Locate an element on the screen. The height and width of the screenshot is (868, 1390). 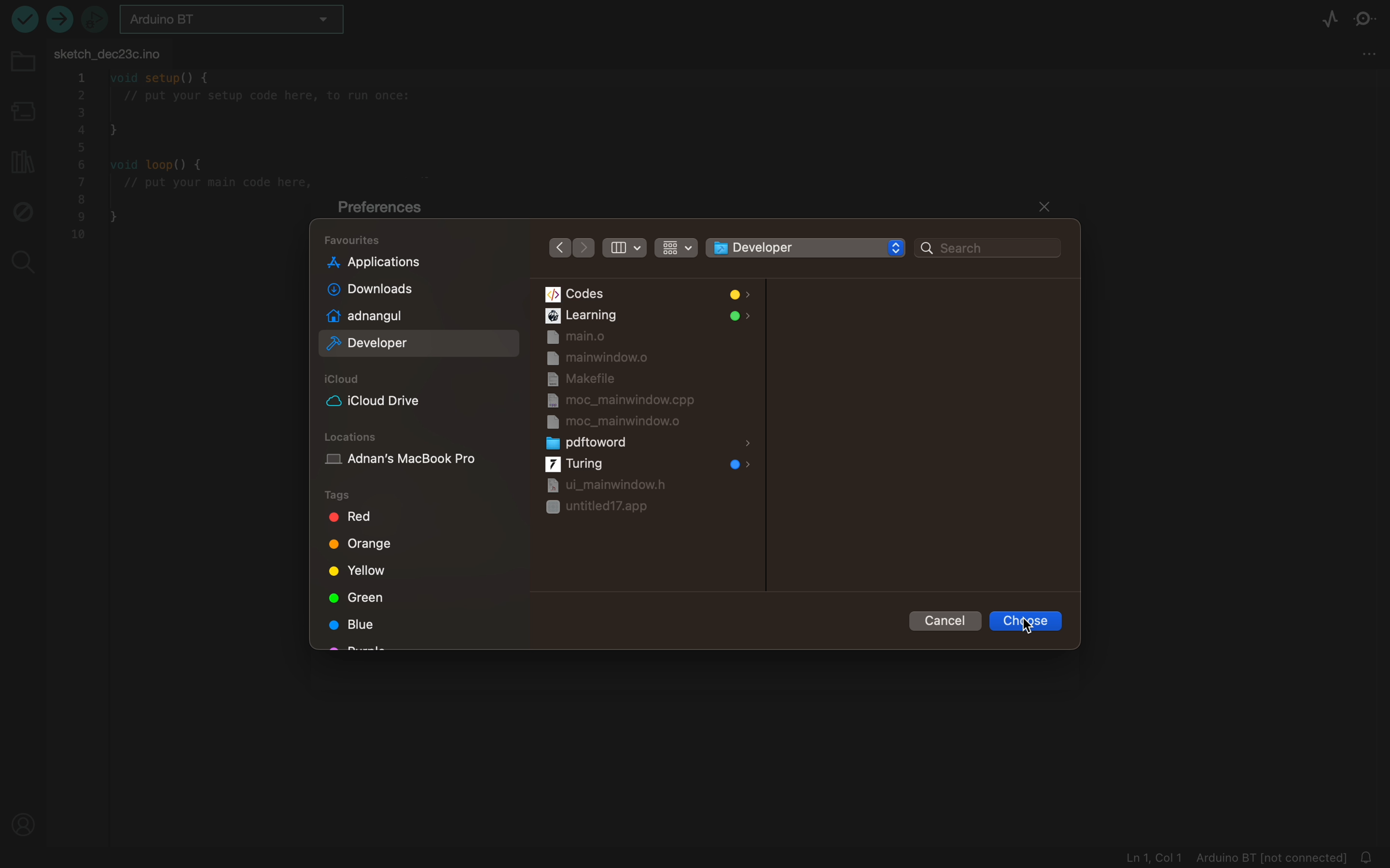
file logs is located at coordinates (1236, 857).